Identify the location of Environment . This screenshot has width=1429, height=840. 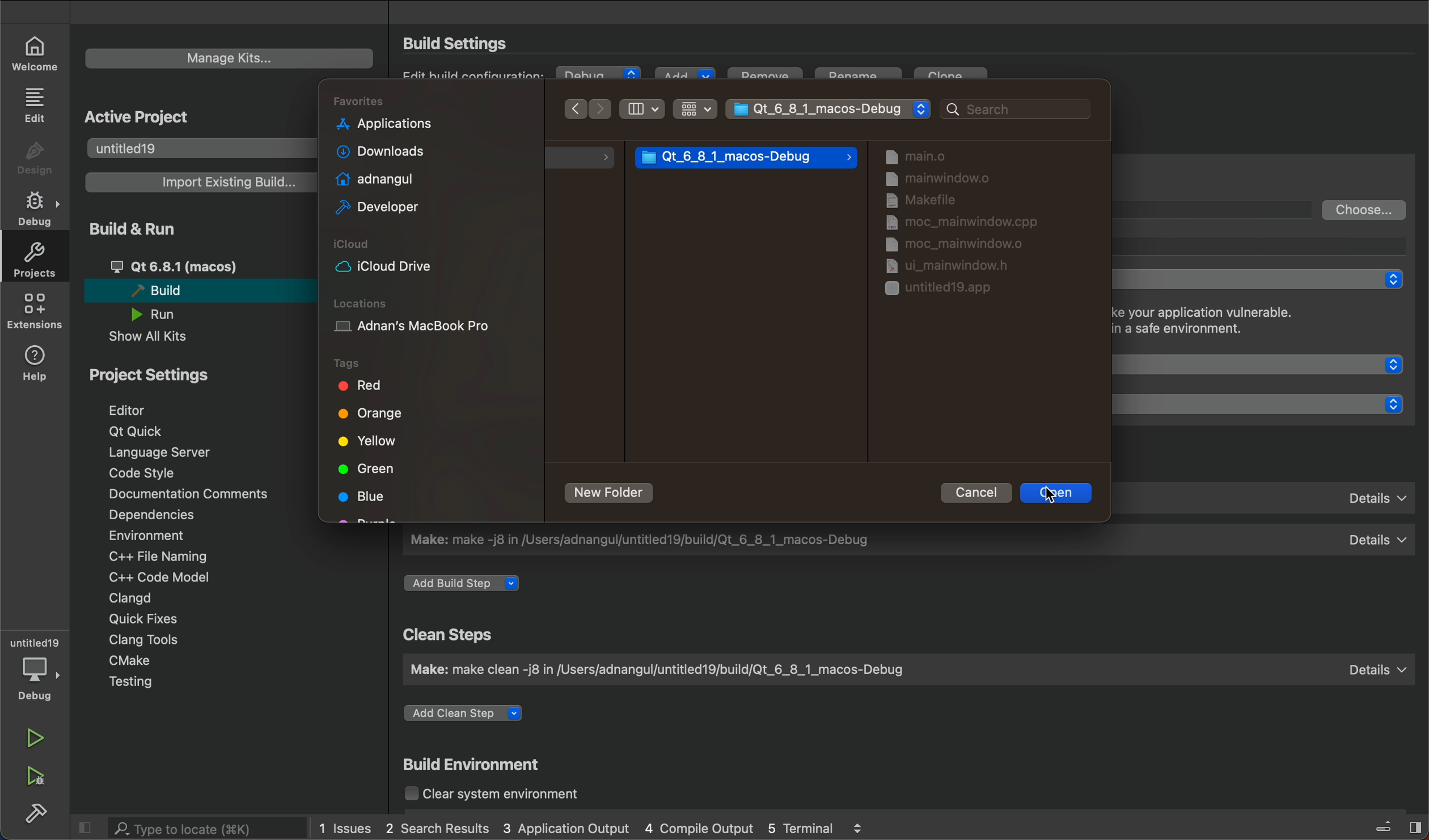
(162, 535).